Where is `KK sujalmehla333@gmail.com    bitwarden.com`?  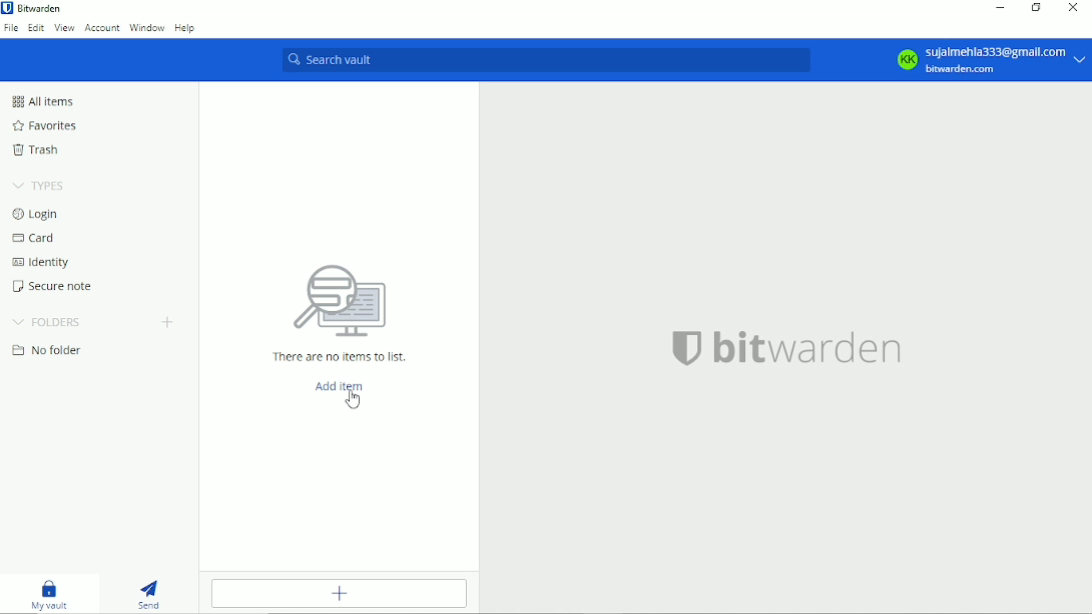
KK sujalmehla333@gmail.com    bitwarden.com is located at coordinates (989, 60).